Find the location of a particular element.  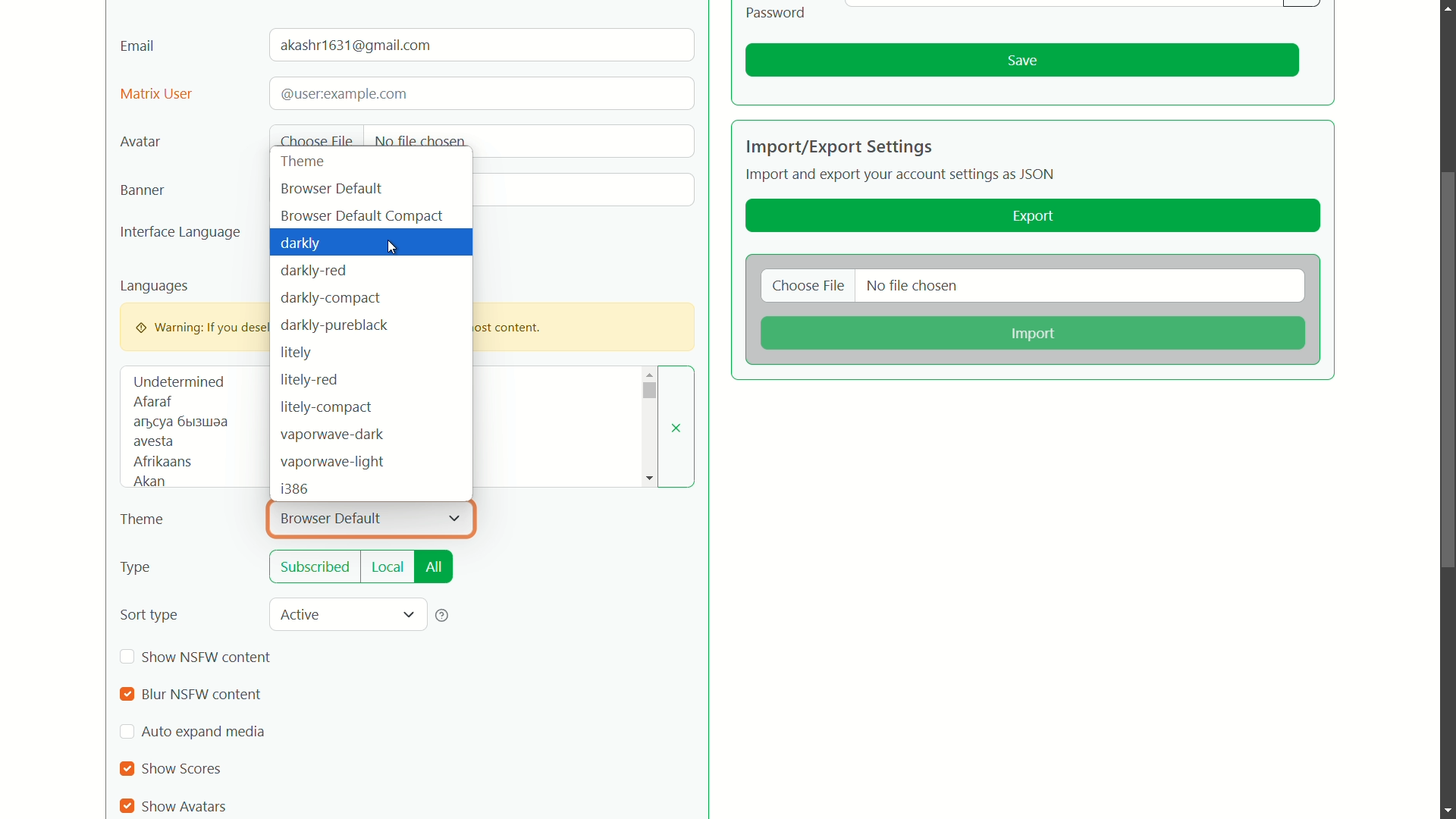

checkbox is located at coordinates (128, 657).